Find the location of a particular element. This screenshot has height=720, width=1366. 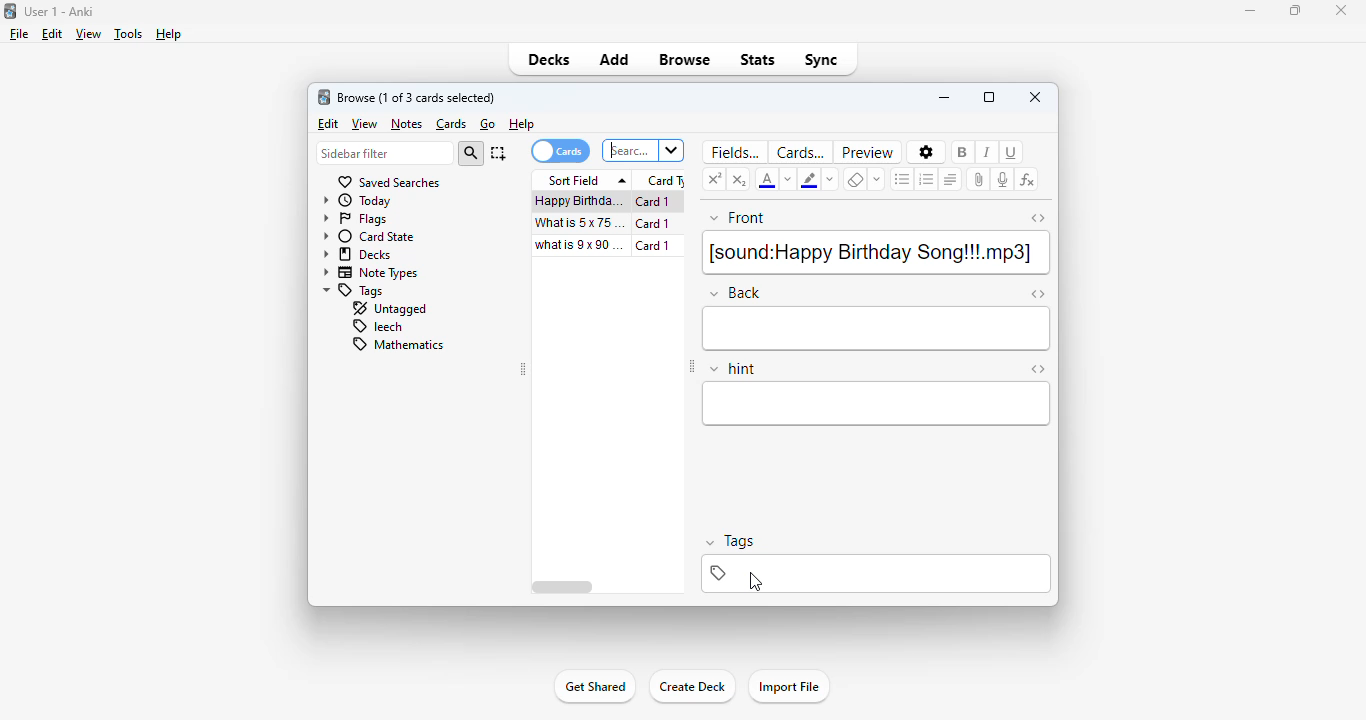

search is located at coordinates (471, 154).